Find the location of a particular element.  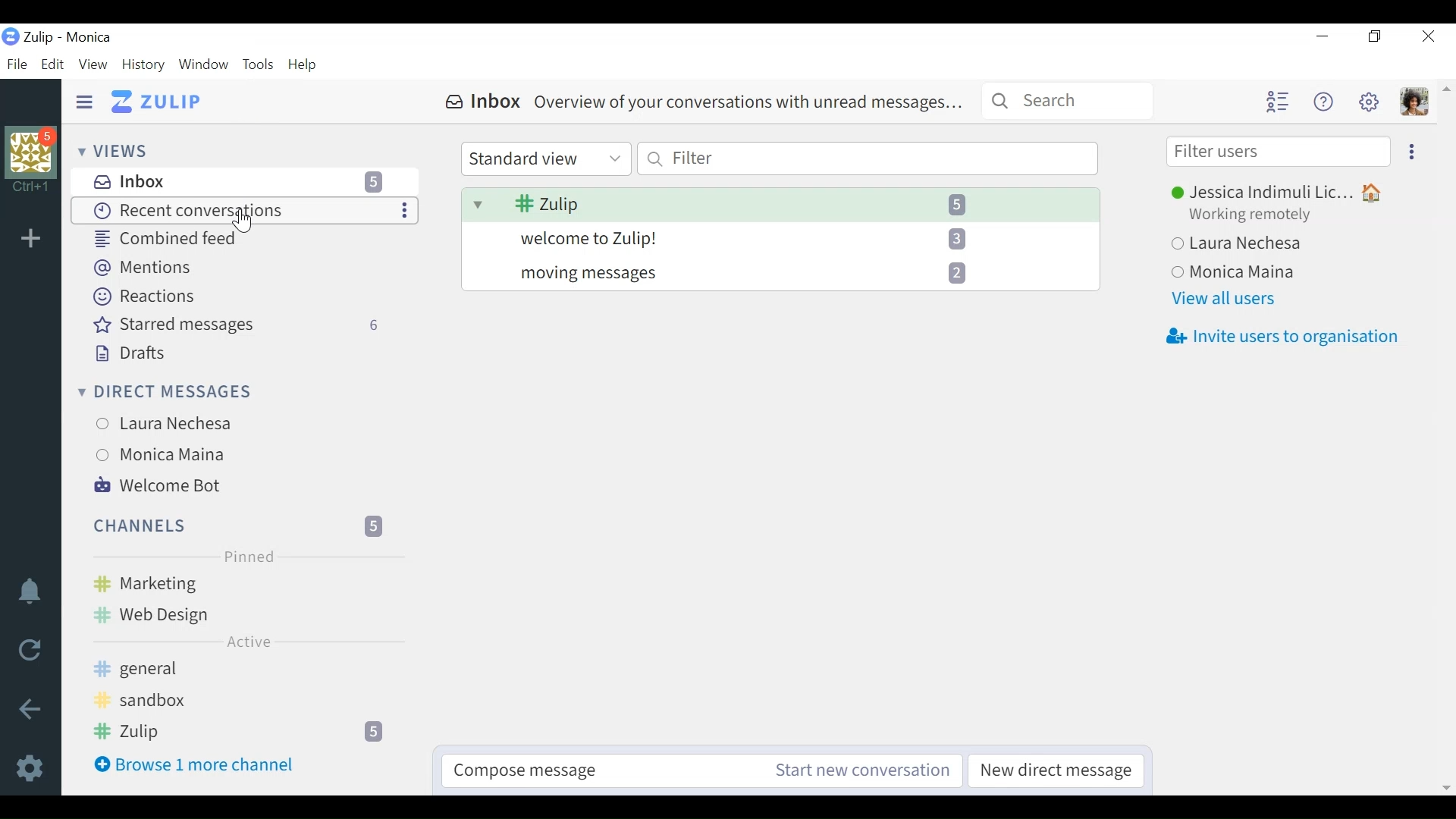

Settings is located at coordinates (33, 770).